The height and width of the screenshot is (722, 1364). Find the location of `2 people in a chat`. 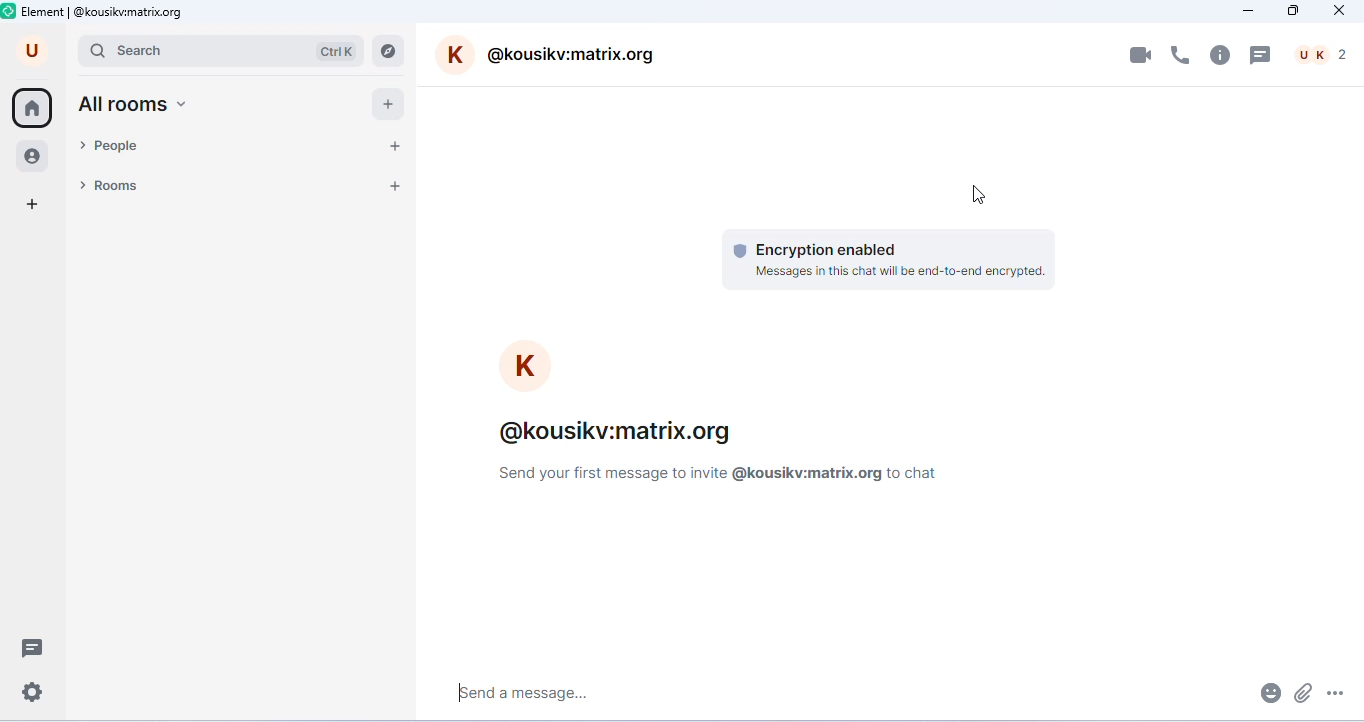

2 people in a chat is located at coordinates (1321, 54).